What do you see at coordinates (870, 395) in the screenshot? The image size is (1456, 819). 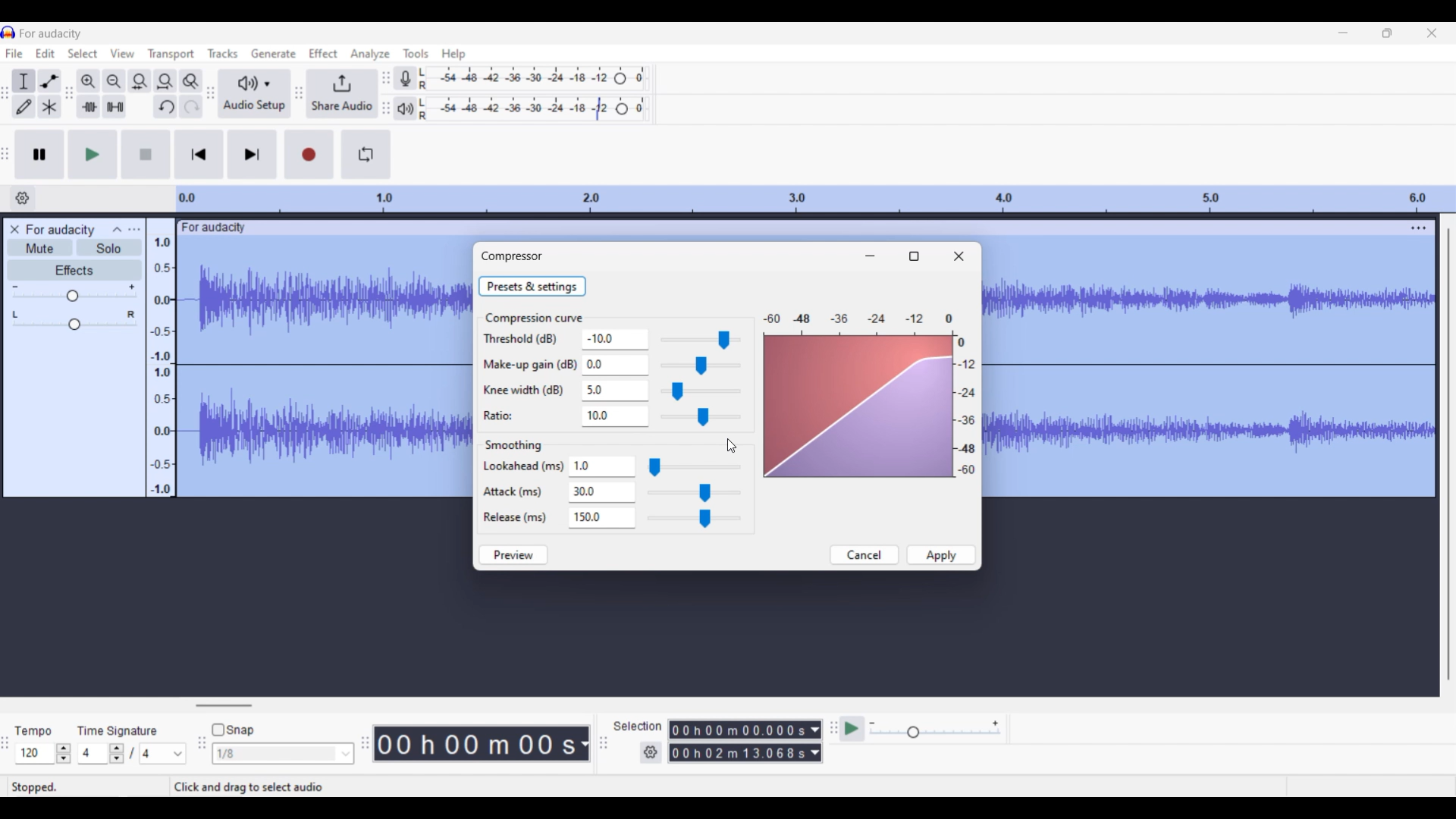 I see `Current output ` at bounding box center [870, 395].